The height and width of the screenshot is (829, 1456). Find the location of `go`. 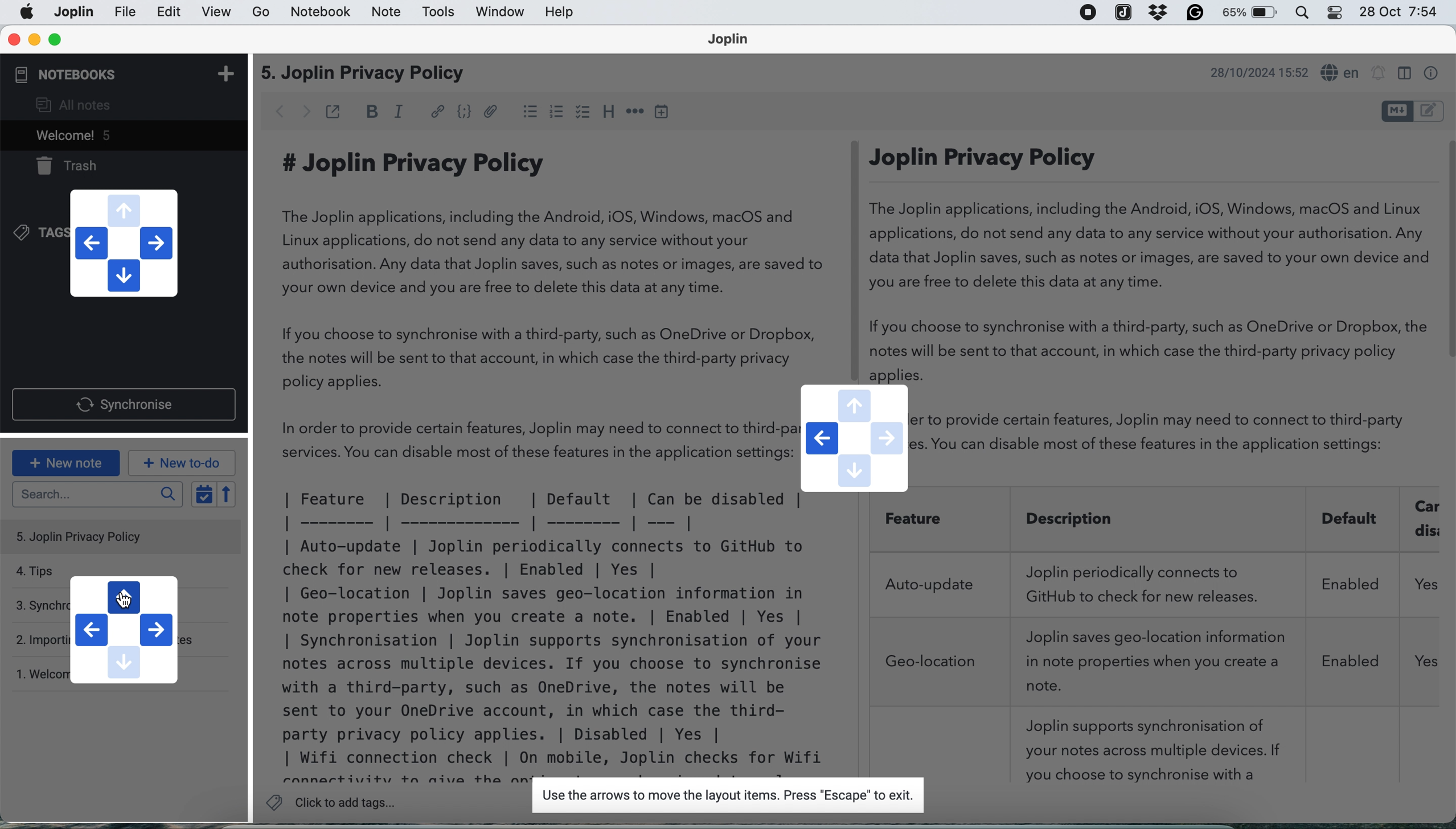

go is located at coordinates (262, 13).